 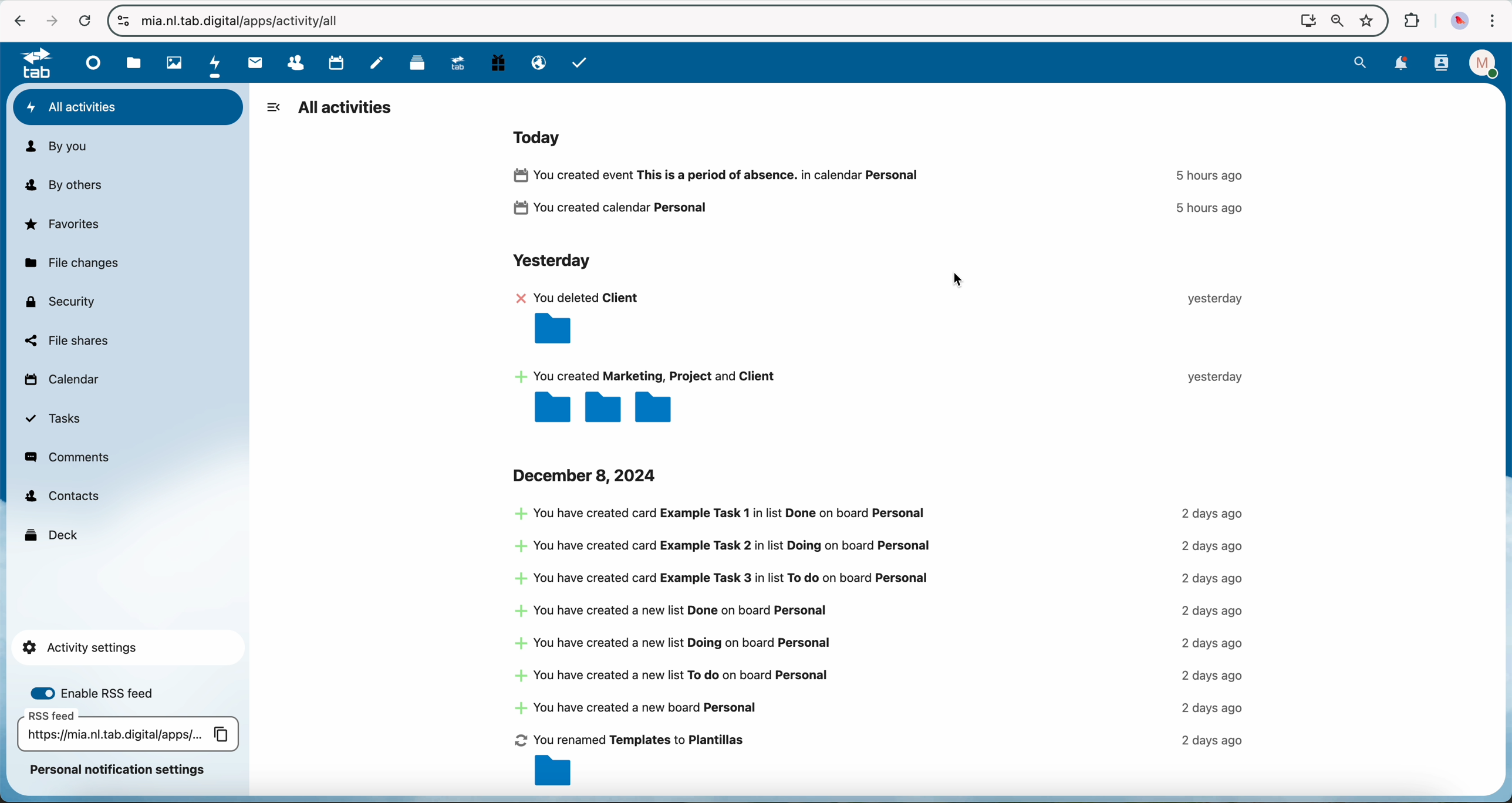 I want to click on file shares, so click(x=66, y=340).